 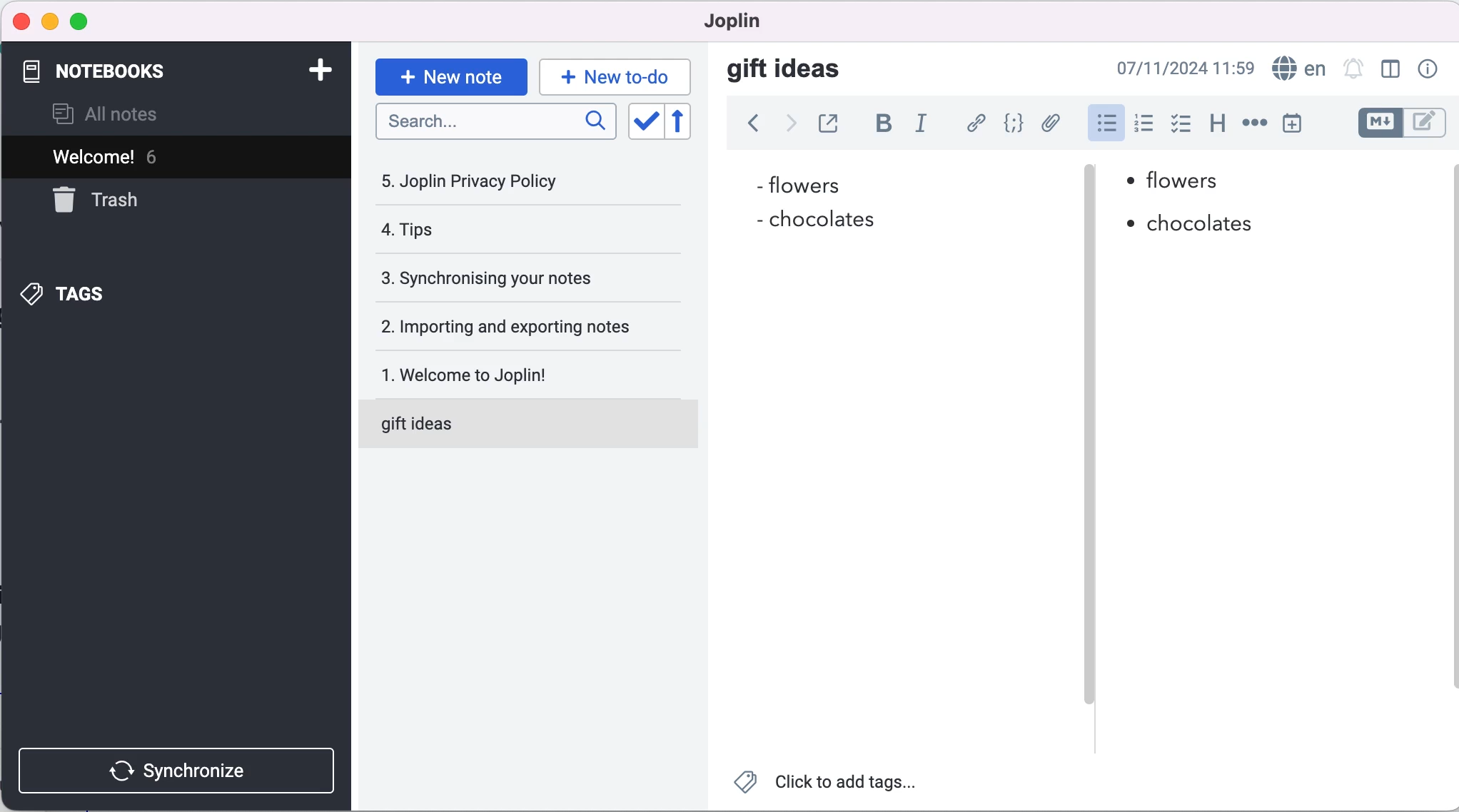 I want to click on minimize, so click(x=50, y=19).